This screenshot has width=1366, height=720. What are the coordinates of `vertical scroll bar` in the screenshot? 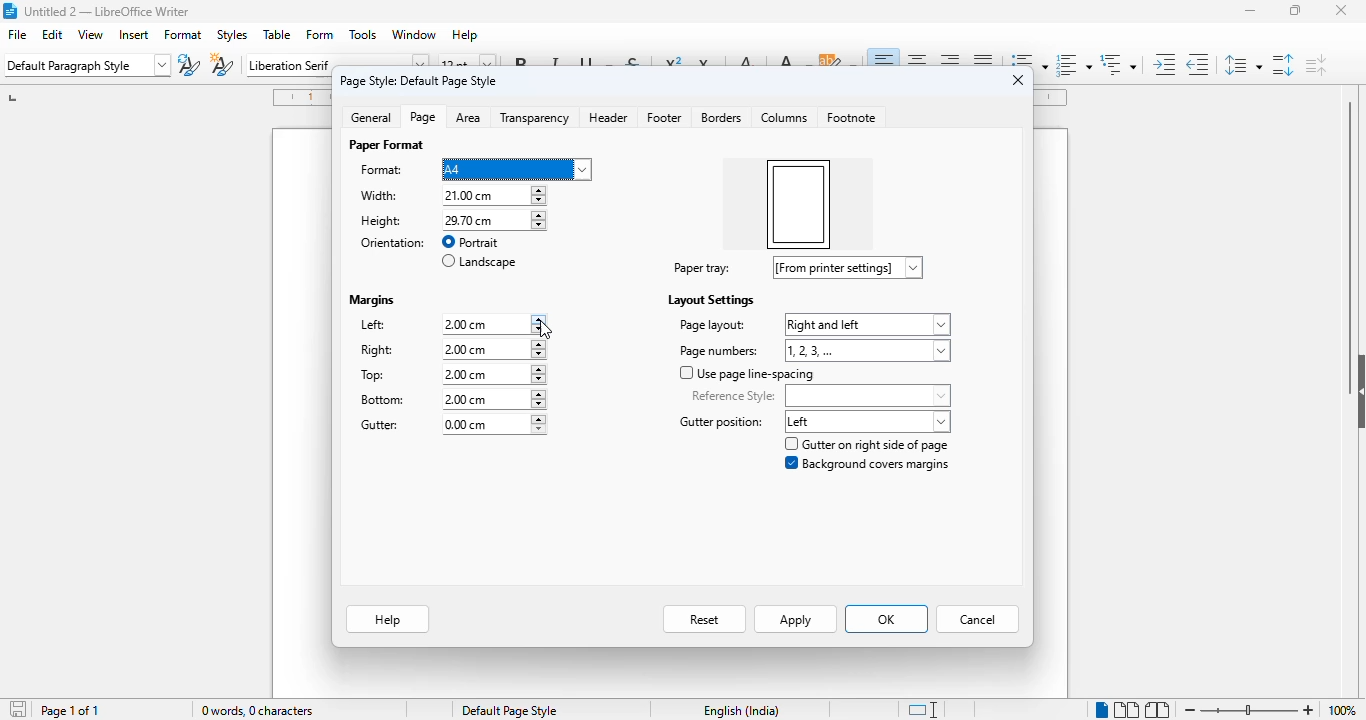 It's located at (1349, 222).